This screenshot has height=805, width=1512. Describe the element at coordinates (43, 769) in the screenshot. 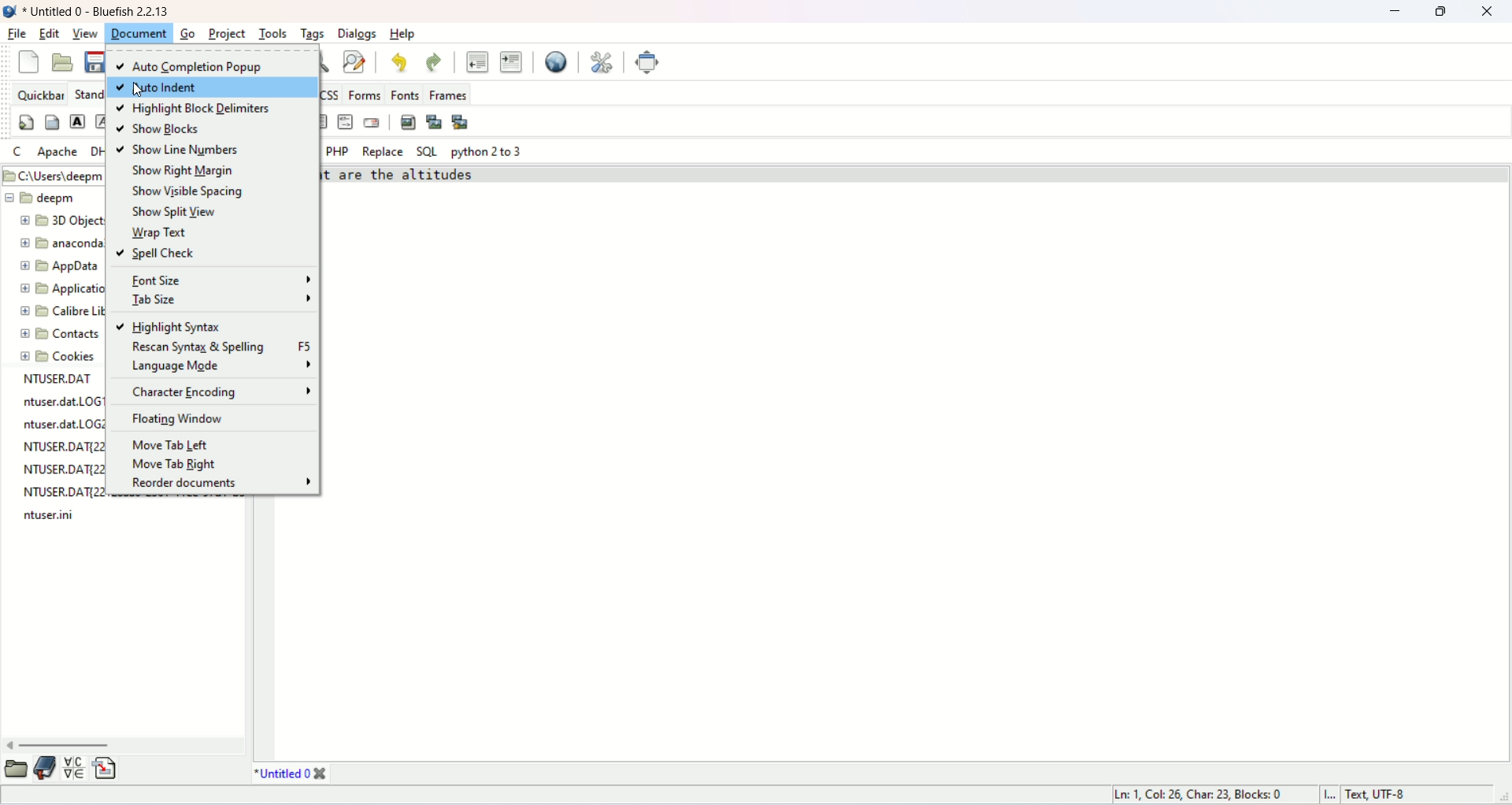

I see `documentation` at that location.